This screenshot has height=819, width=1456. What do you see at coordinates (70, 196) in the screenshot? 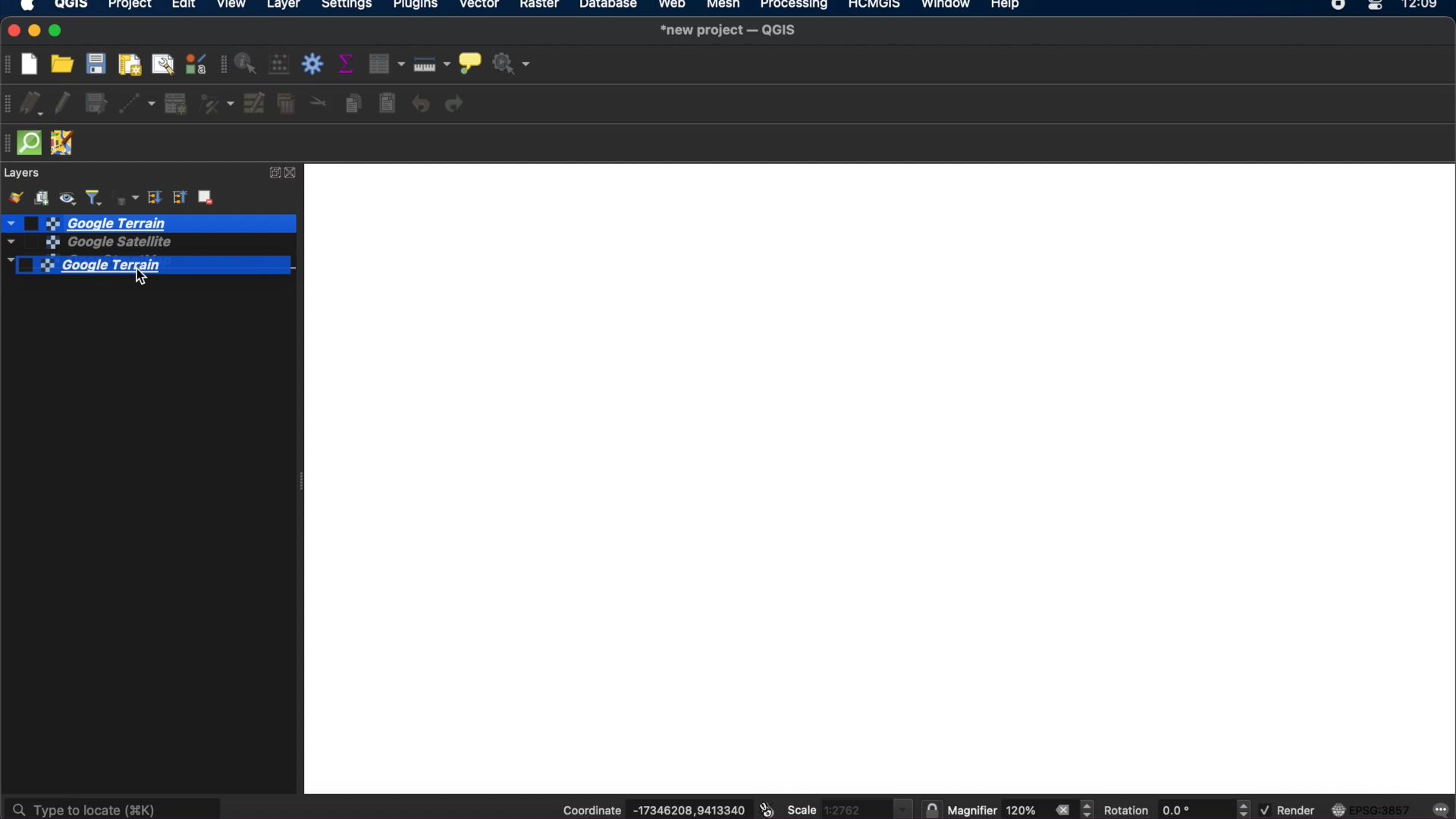
I see `manage map themes` at bounding box center [70, 196].